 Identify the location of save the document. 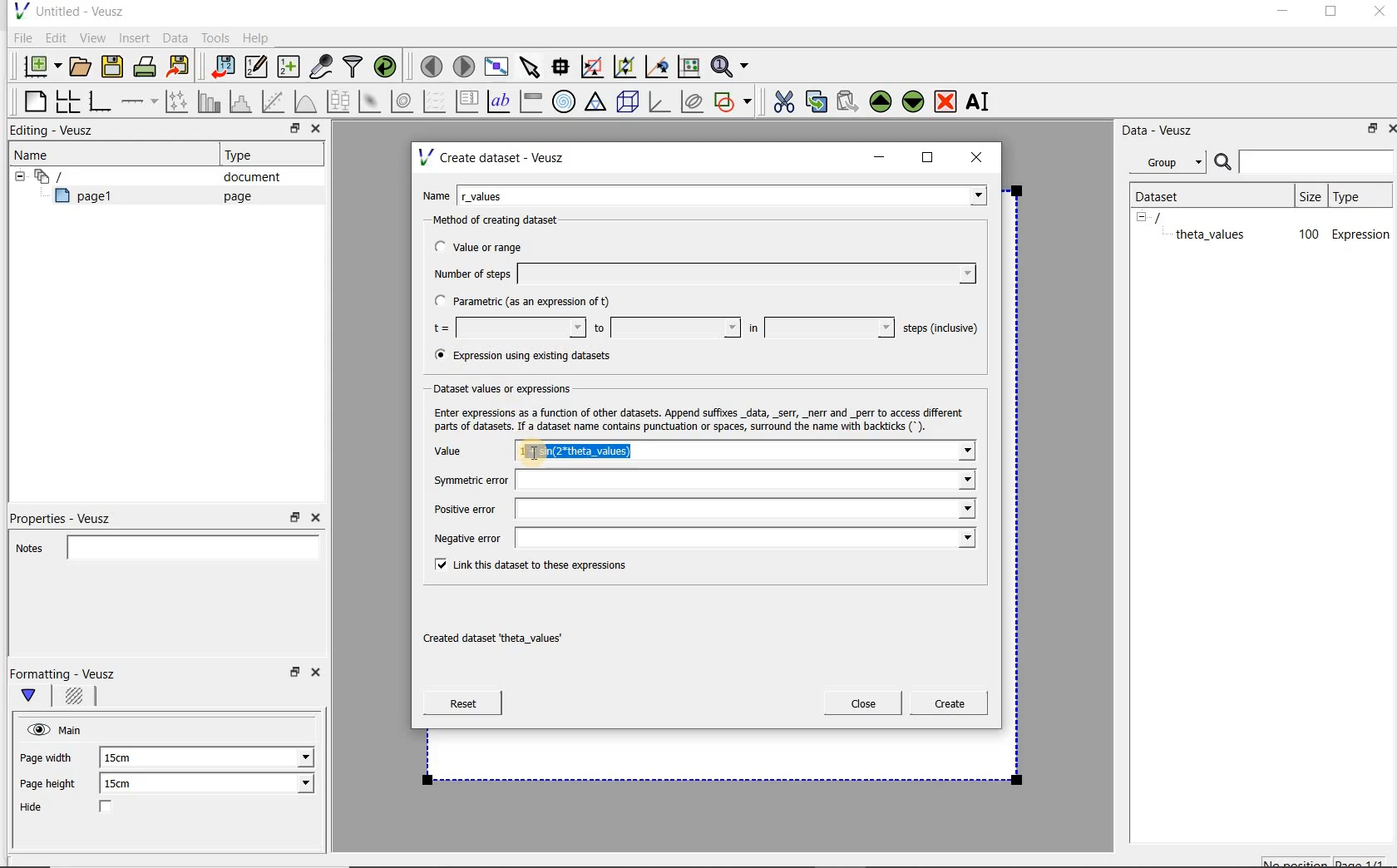
(116, 67).